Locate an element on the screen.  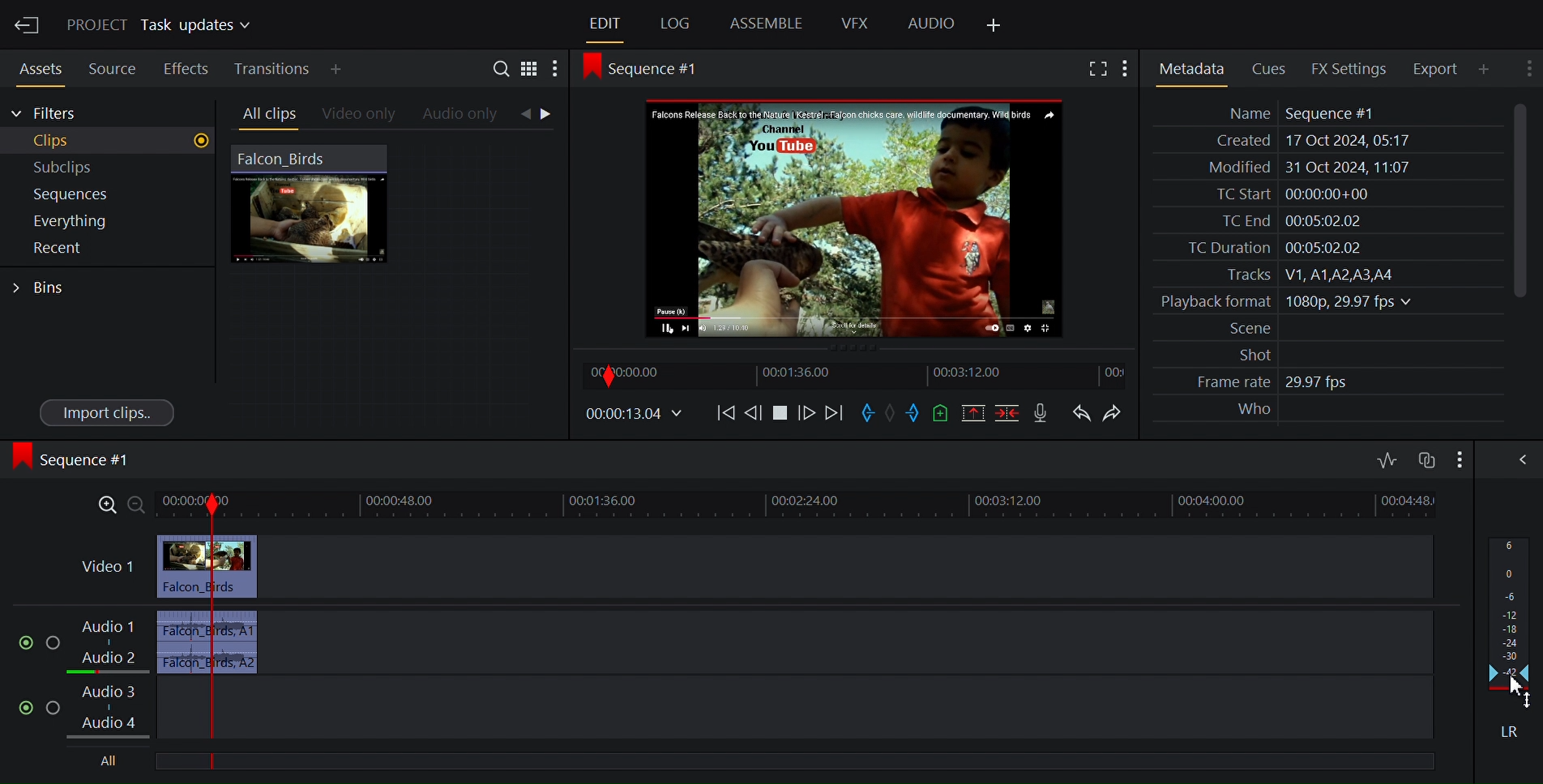
Timeline indicator is located at coordinates (214, 627).